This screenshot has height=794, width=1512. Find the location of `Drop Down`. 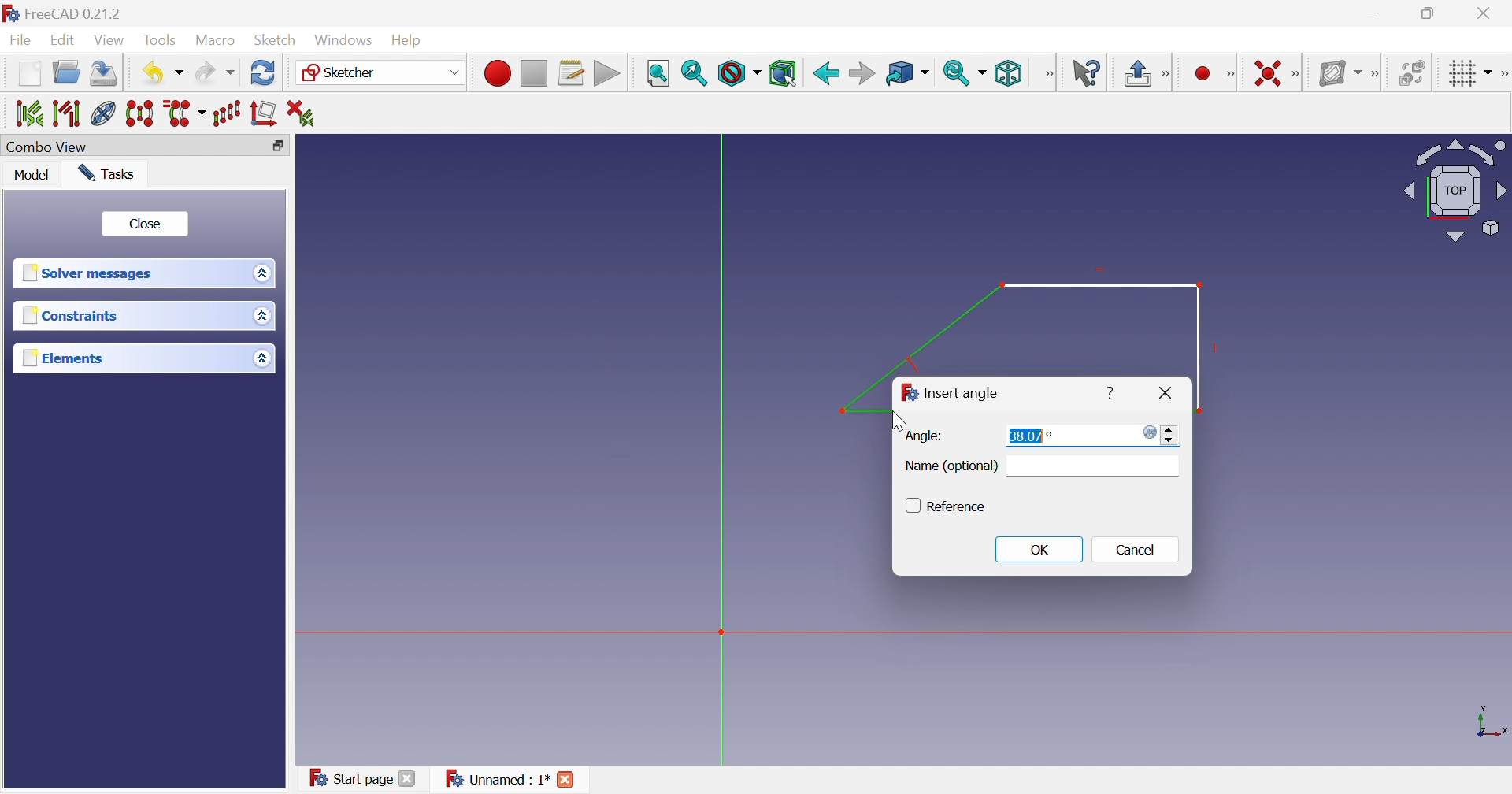

Drop Down is located at coordinates (928, 73).